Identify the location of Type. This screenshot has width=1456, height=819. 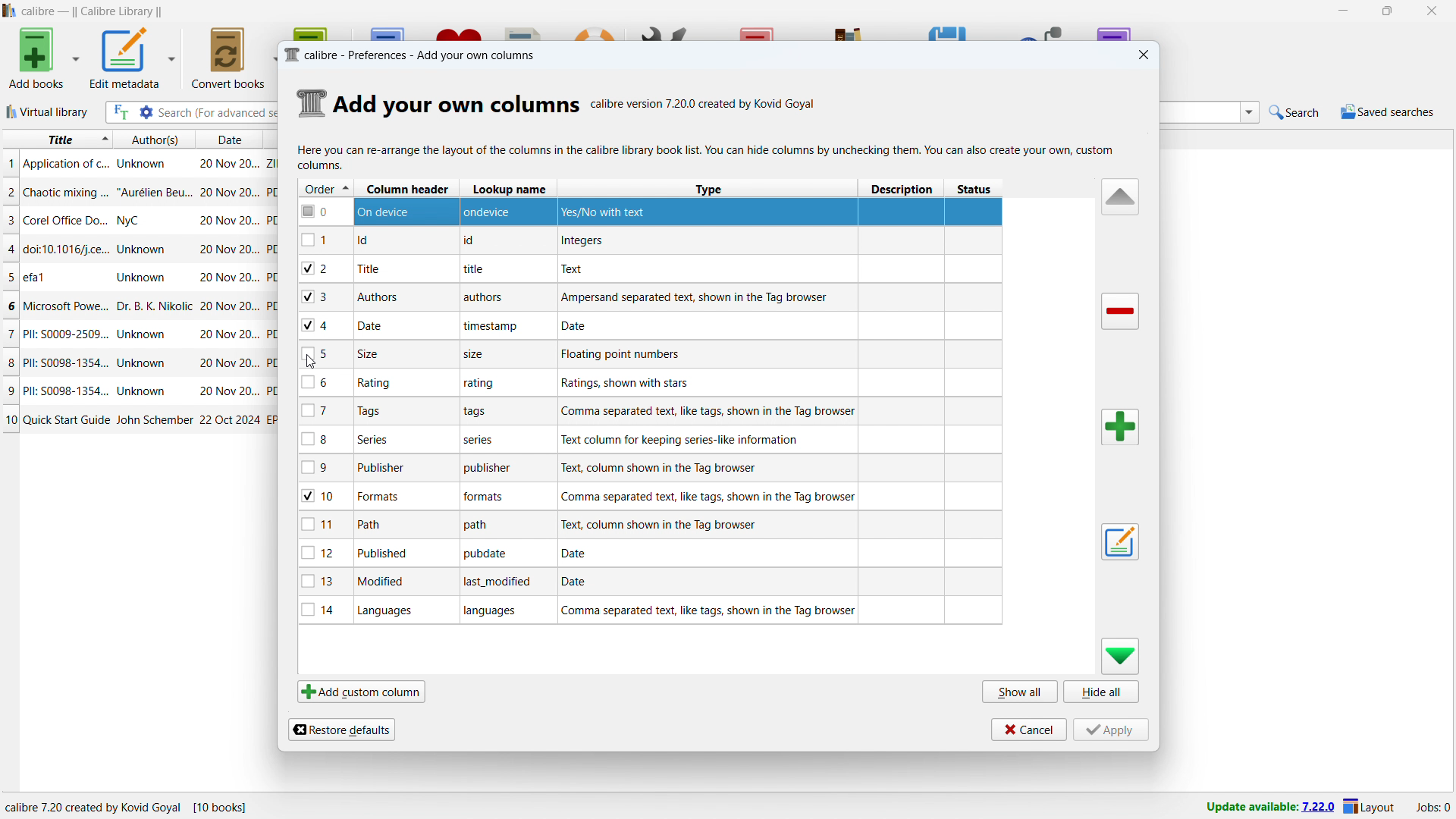
(704, 190).